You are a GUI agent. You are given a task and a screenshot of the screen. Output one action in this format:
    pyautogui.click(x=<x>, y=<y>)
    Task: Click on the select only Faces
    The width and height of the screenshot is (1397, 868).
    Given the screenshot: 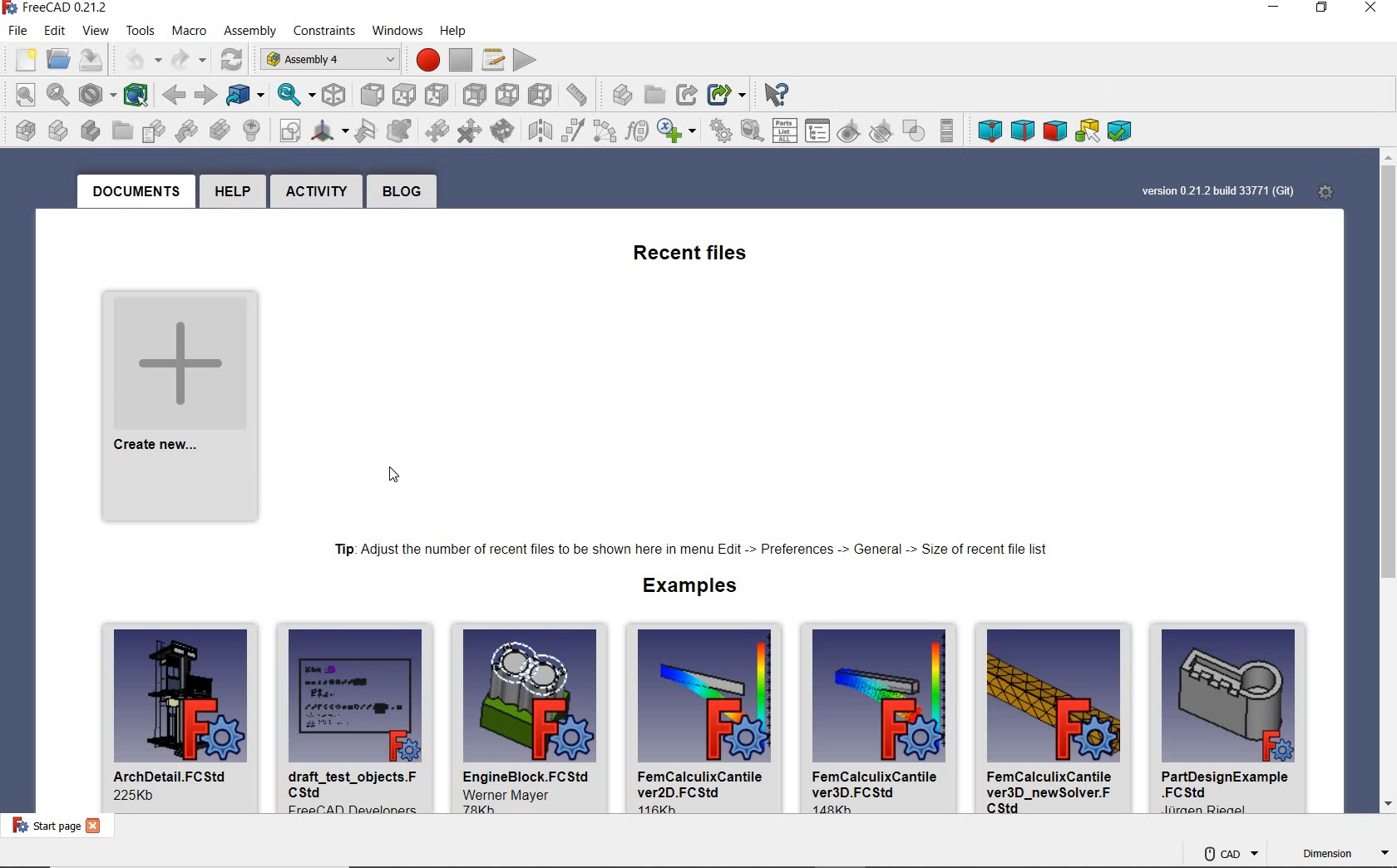 What is the action you would take?
    pyautogui.click(x=1054, y=131)
    